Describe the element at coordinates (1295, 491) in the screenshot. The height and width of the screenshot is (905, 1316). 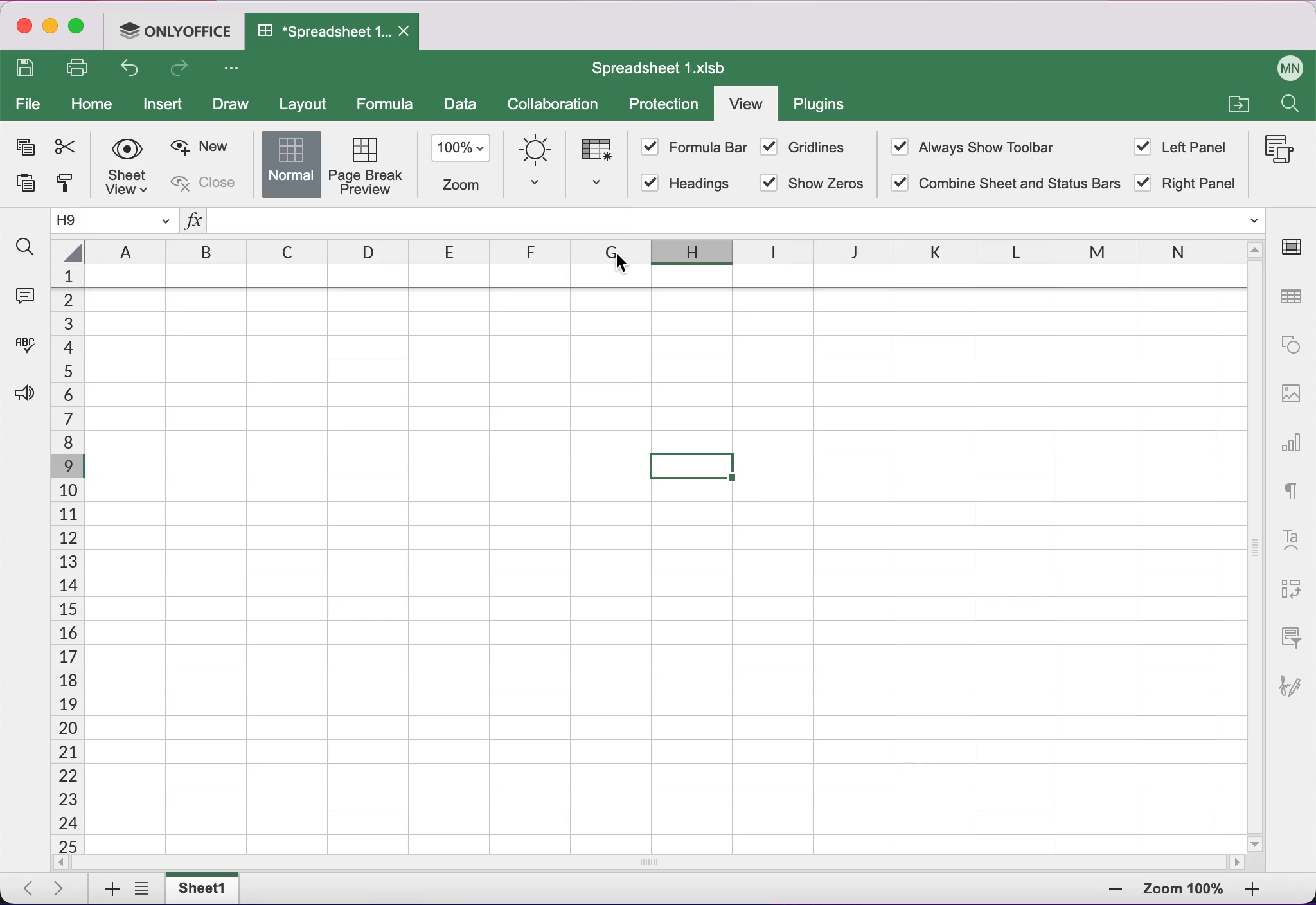
I see `text` at that location.